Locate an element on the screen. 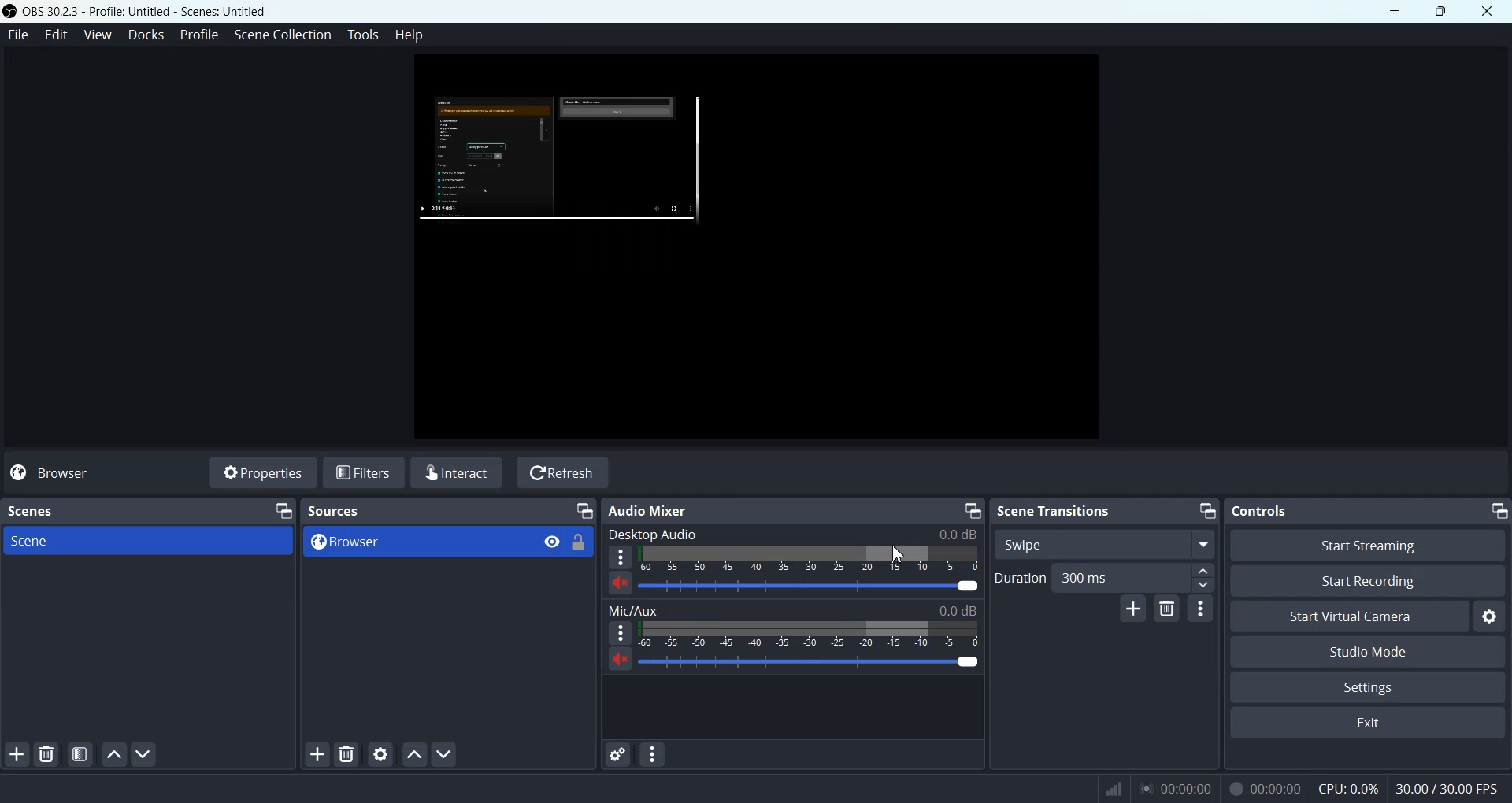  Desktop Audio is located at coordinates (791, 535).